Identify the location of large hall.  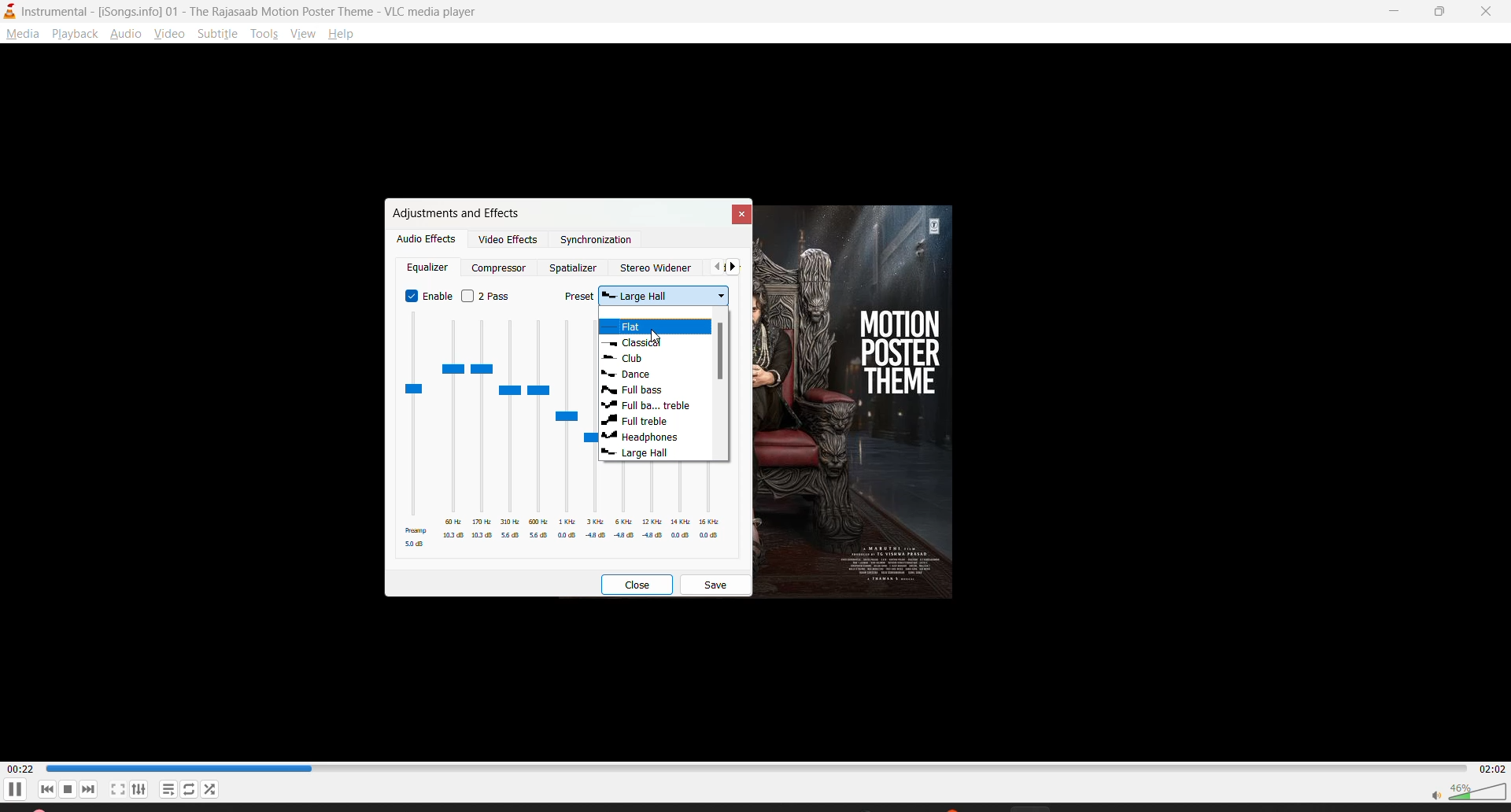
(634, 456).